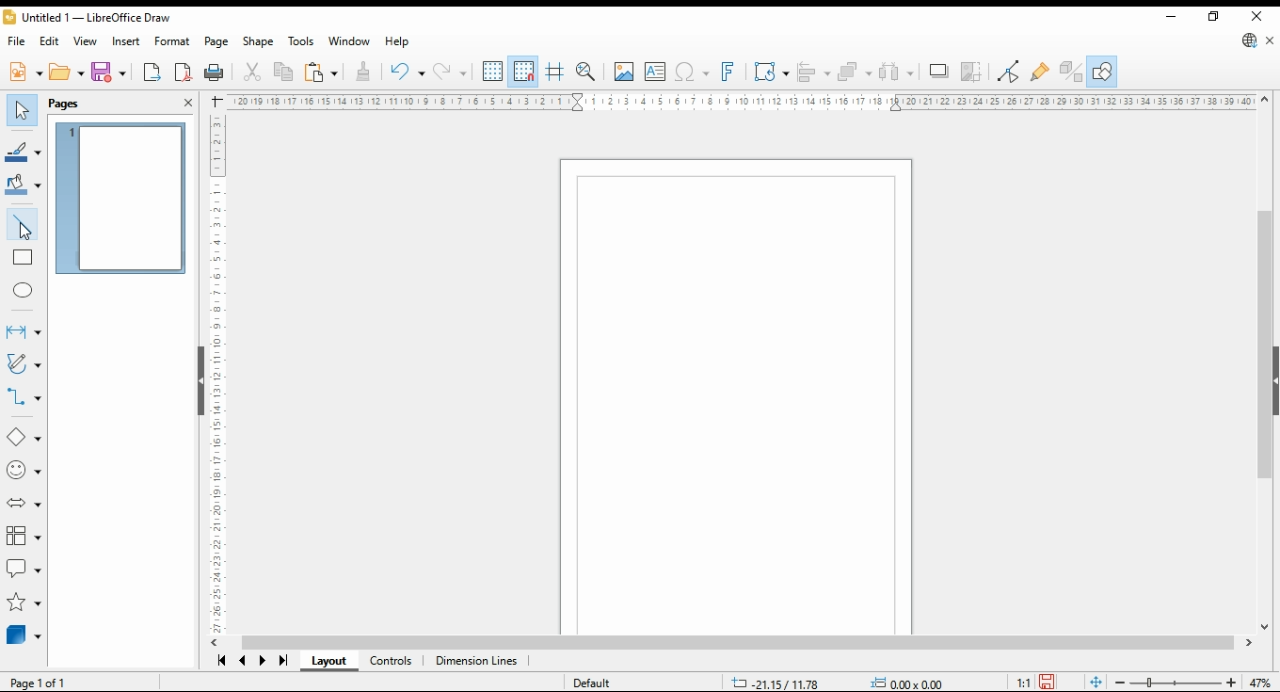 Image resolution: width=1280 pixels, height=692 pixels. Describe the element at coordinates (319, 72) in the screenshot. I see `paste` at that location.